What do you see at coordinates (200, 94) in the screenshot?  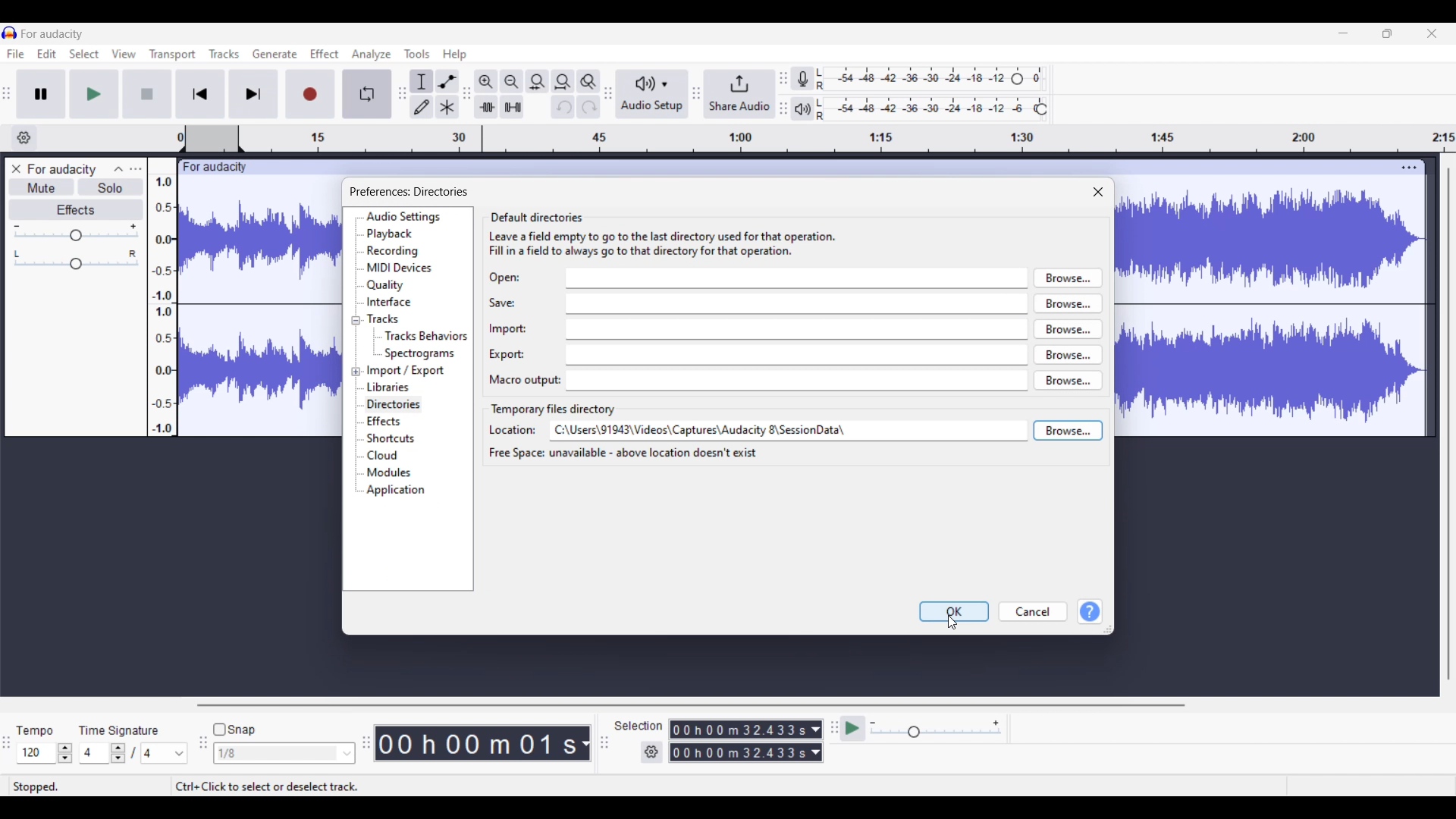 I see `Skip/Select to start` at bounding box center [200, 94].